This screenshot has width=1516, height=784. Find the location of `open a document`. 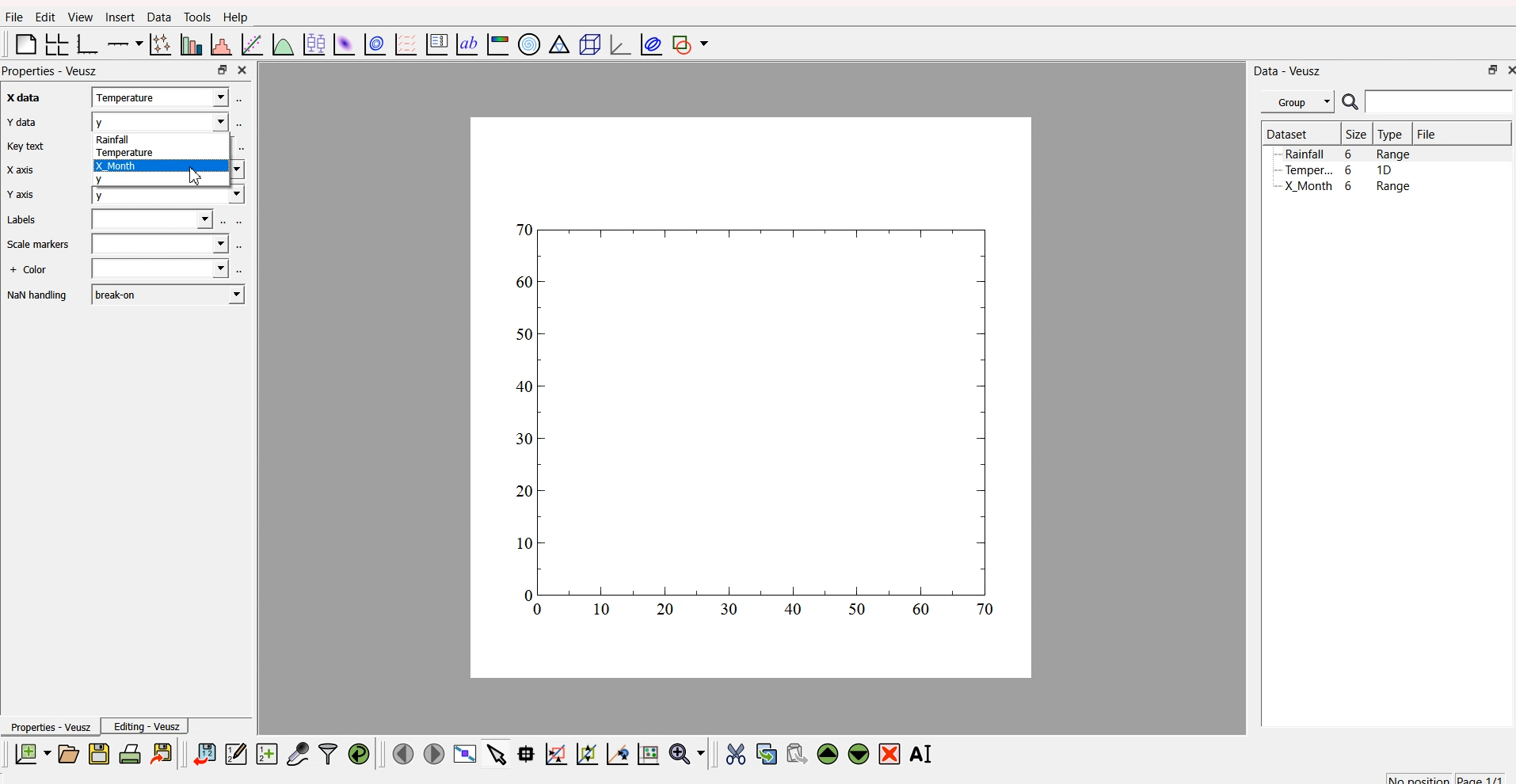

open a document is located at coordinates (67, 752).